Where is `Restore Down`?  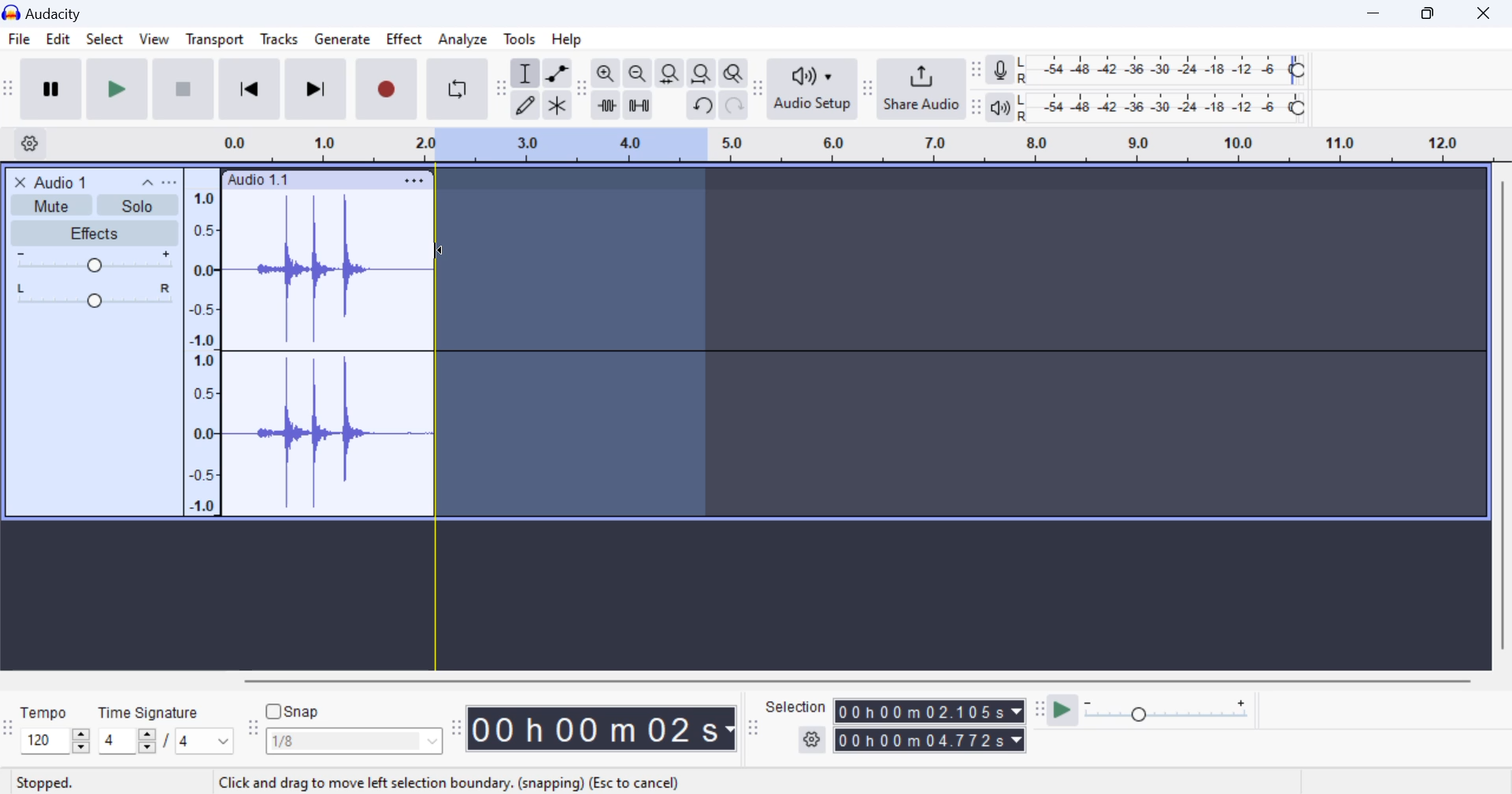 Restore Down is located at coordinates (1376, 13).